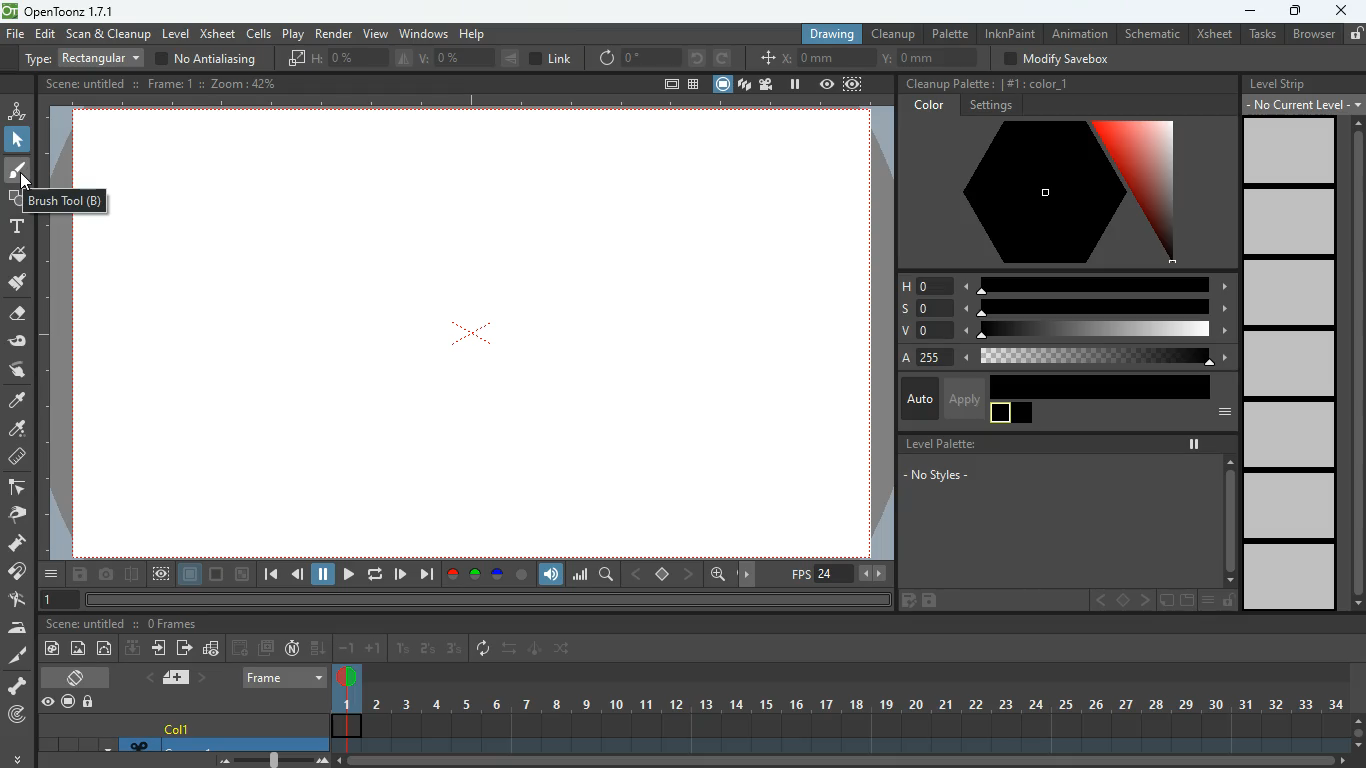 This screenshot has height=768, width=1366. I want to click on xsheet, so click(217, 33).